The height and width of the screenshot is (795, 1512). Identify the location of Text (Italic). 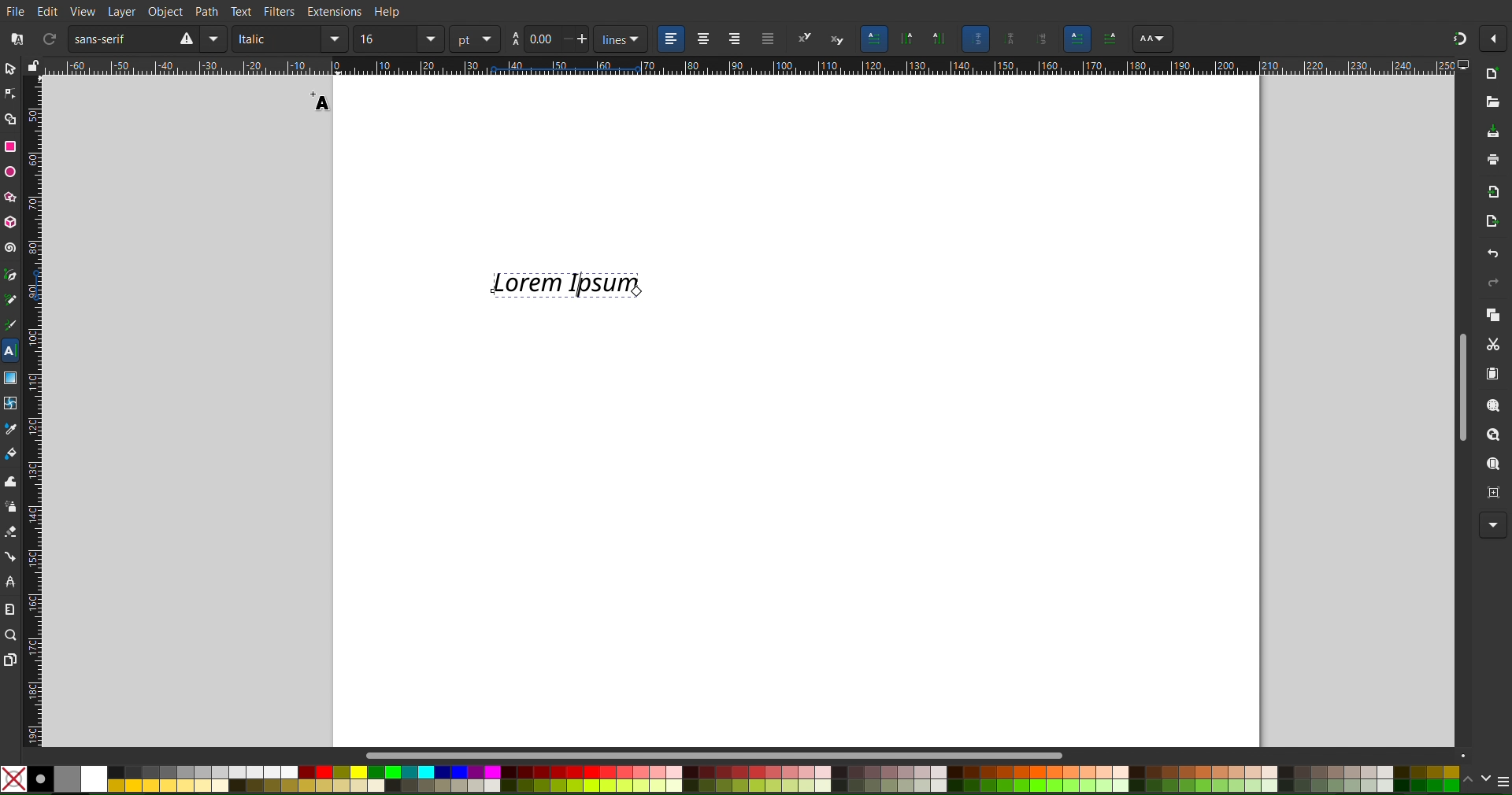
(566, 284).